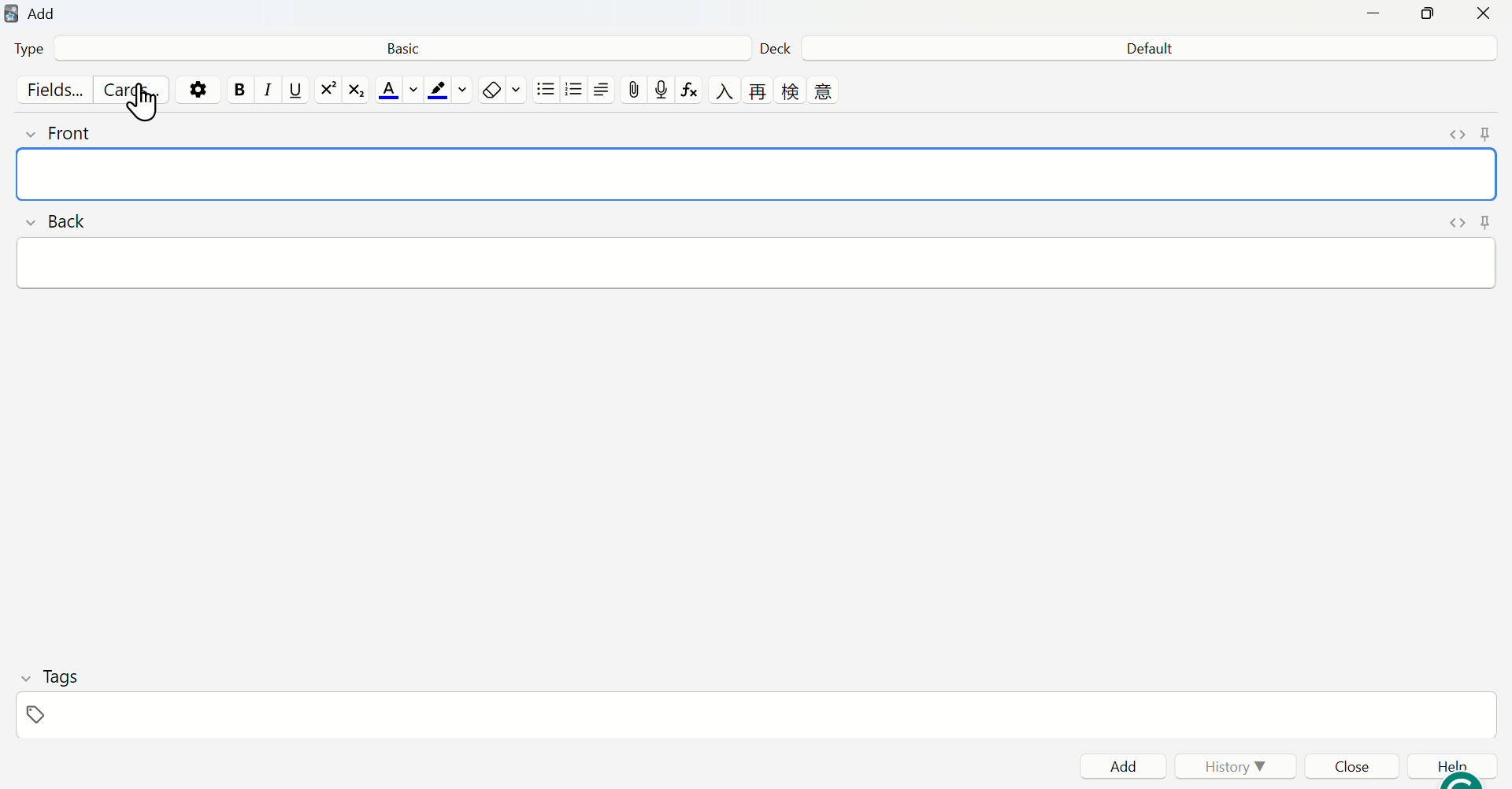 This screenshot has width=1512, height=789. What do you see at coordinates (778, 47) in the screenshot?
I see `Deck` at bounding box center [778, 47].